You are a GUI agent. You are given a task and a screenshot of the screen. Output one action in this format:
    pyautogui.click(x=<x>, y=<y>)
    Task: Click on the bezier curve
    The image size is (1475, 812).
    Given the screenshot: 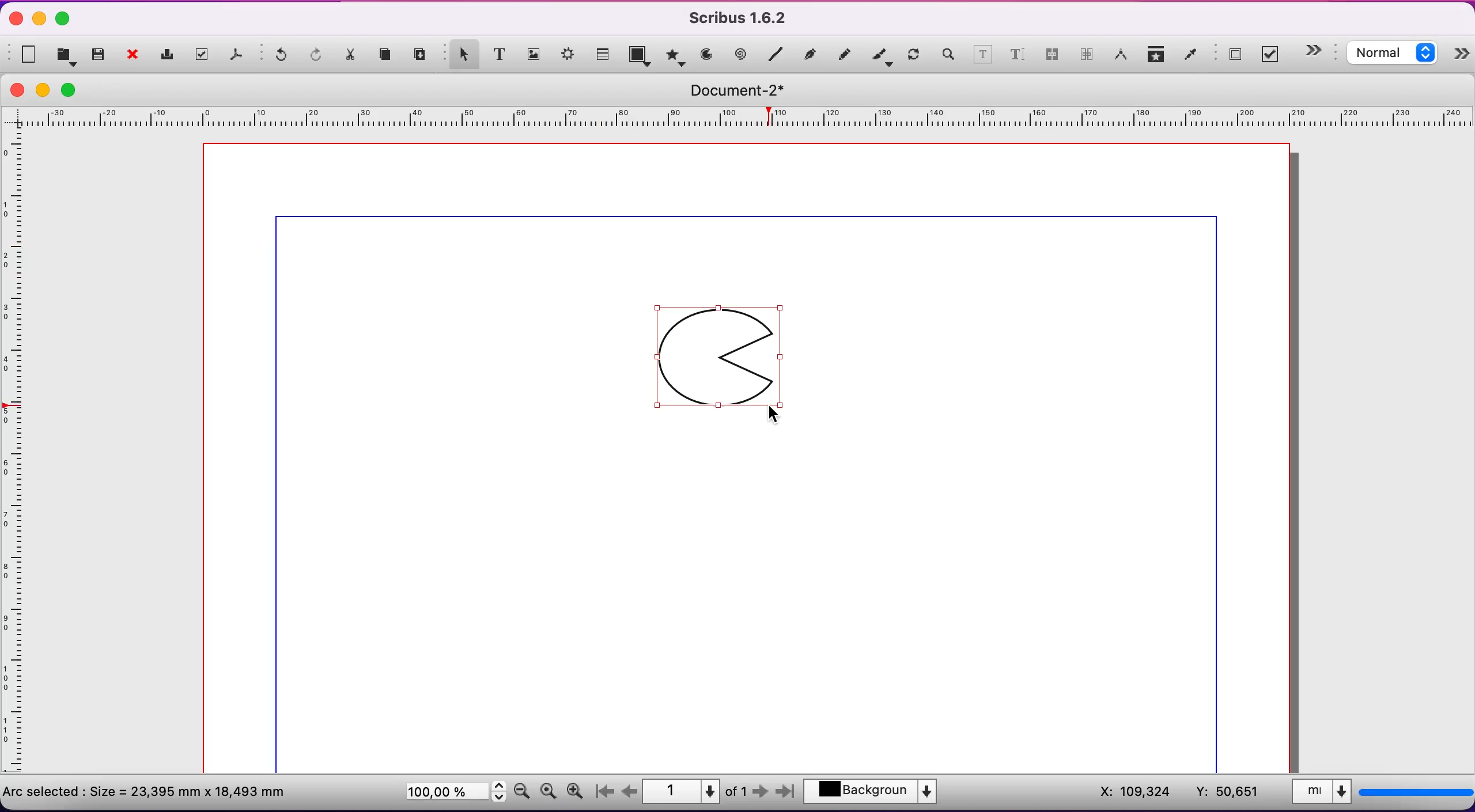 What is the action you would take?
    pyautogui.click(x=812, y=54)
    